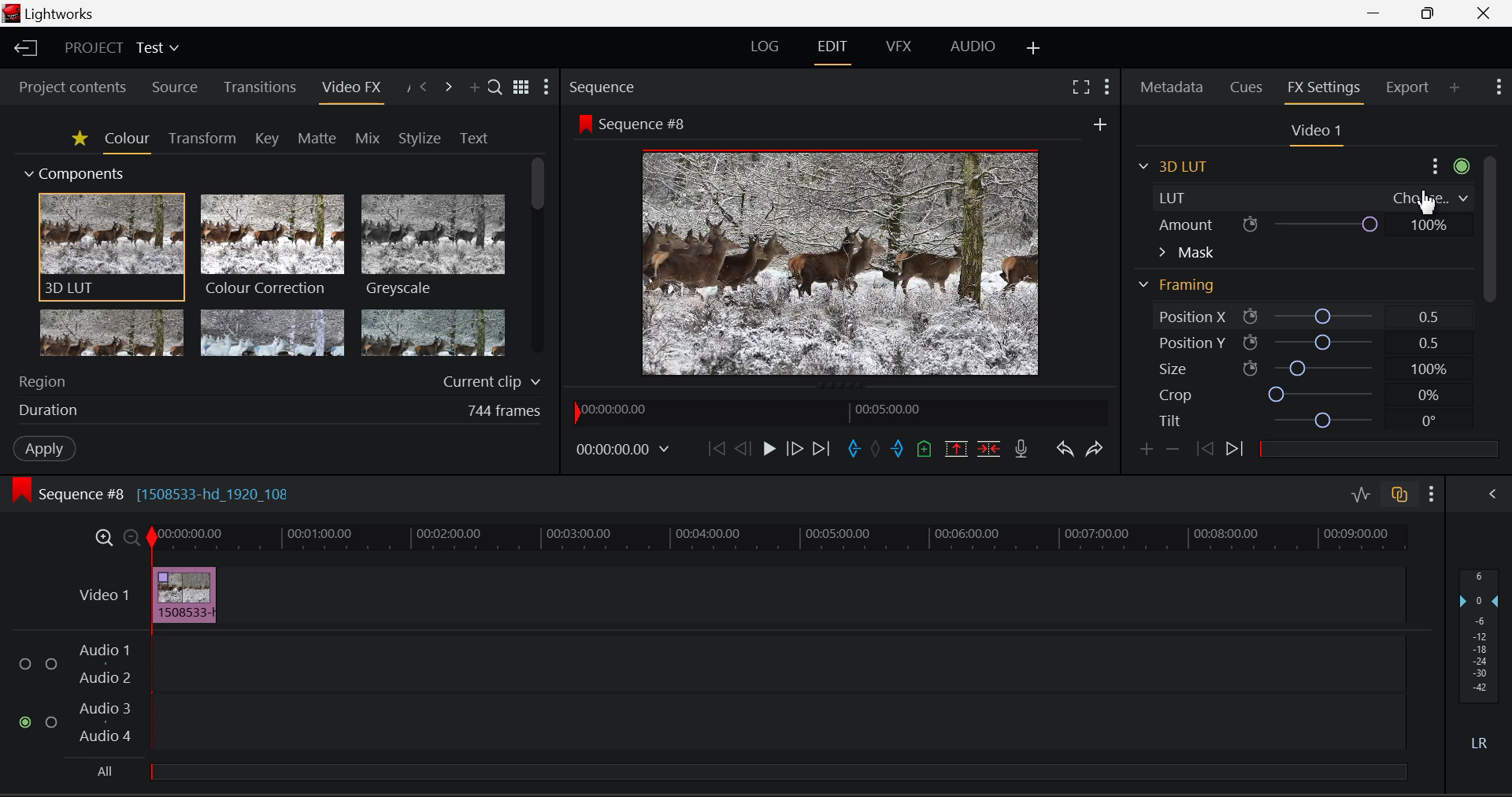 Image resolution: width=1512 pixels, height=797 pixels. Describe the element at coordinates (24, 721) in the screenshot. I see `Audio Input Checkbox` at that location.